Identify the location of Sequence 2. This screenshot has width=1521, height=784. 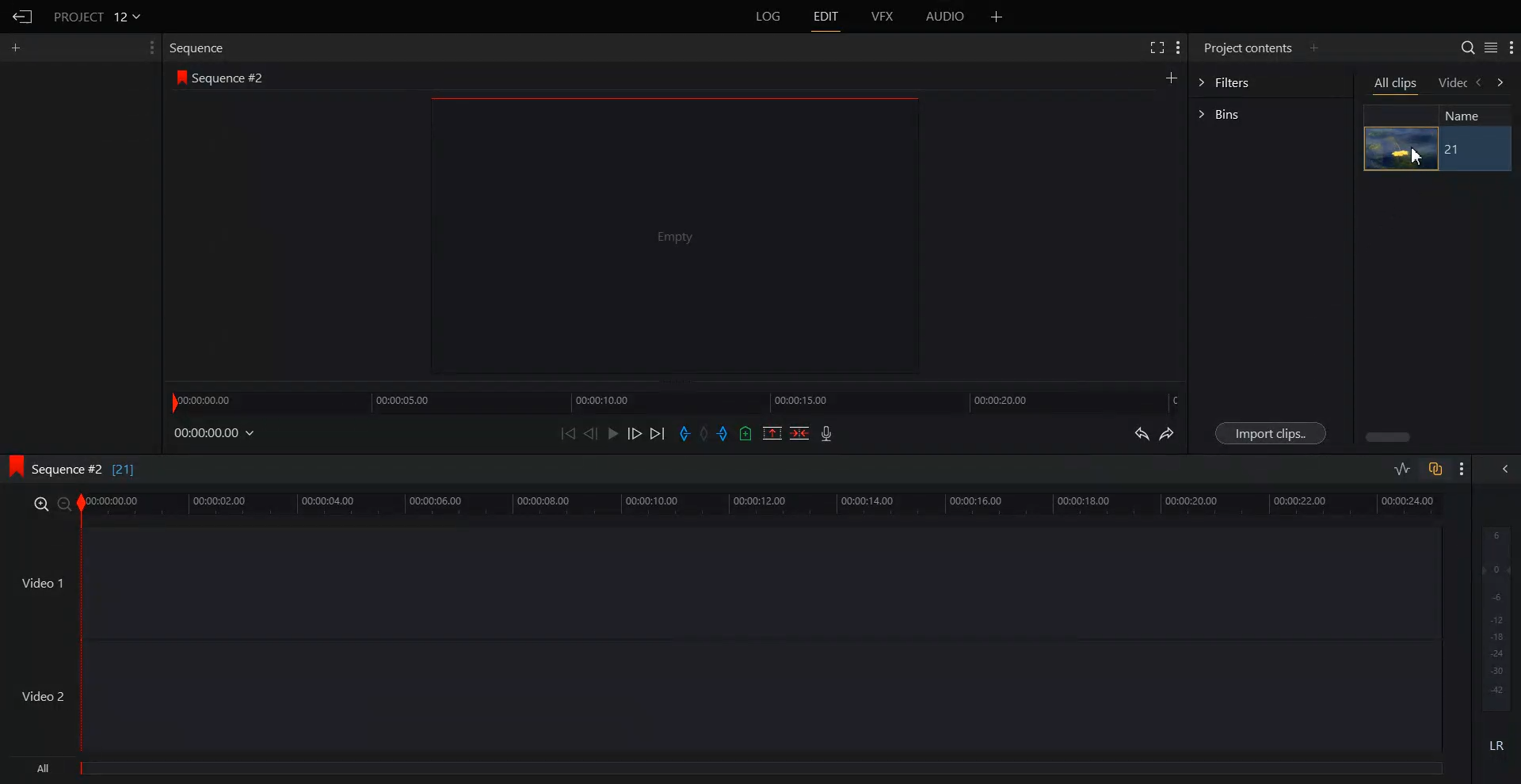
(229, 78).